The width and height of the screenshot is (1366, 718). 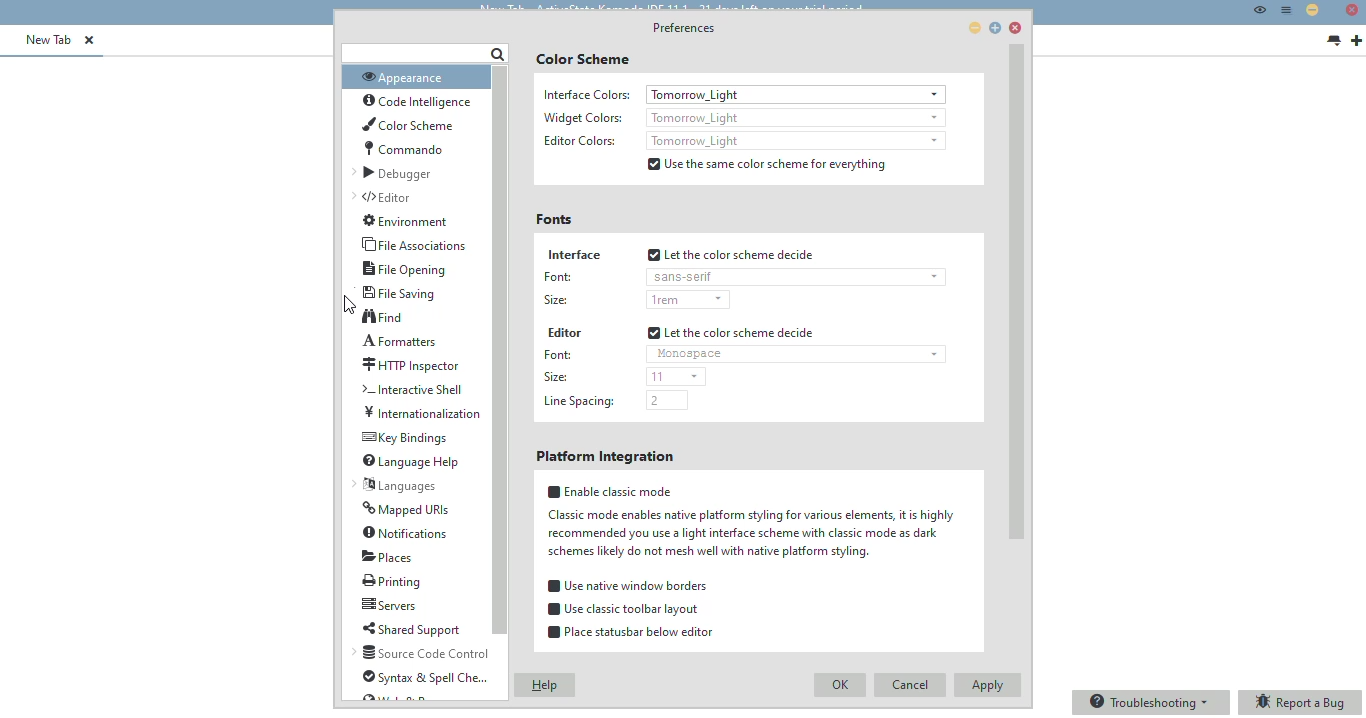 I want to click on editor, so click(x=563, y=332).